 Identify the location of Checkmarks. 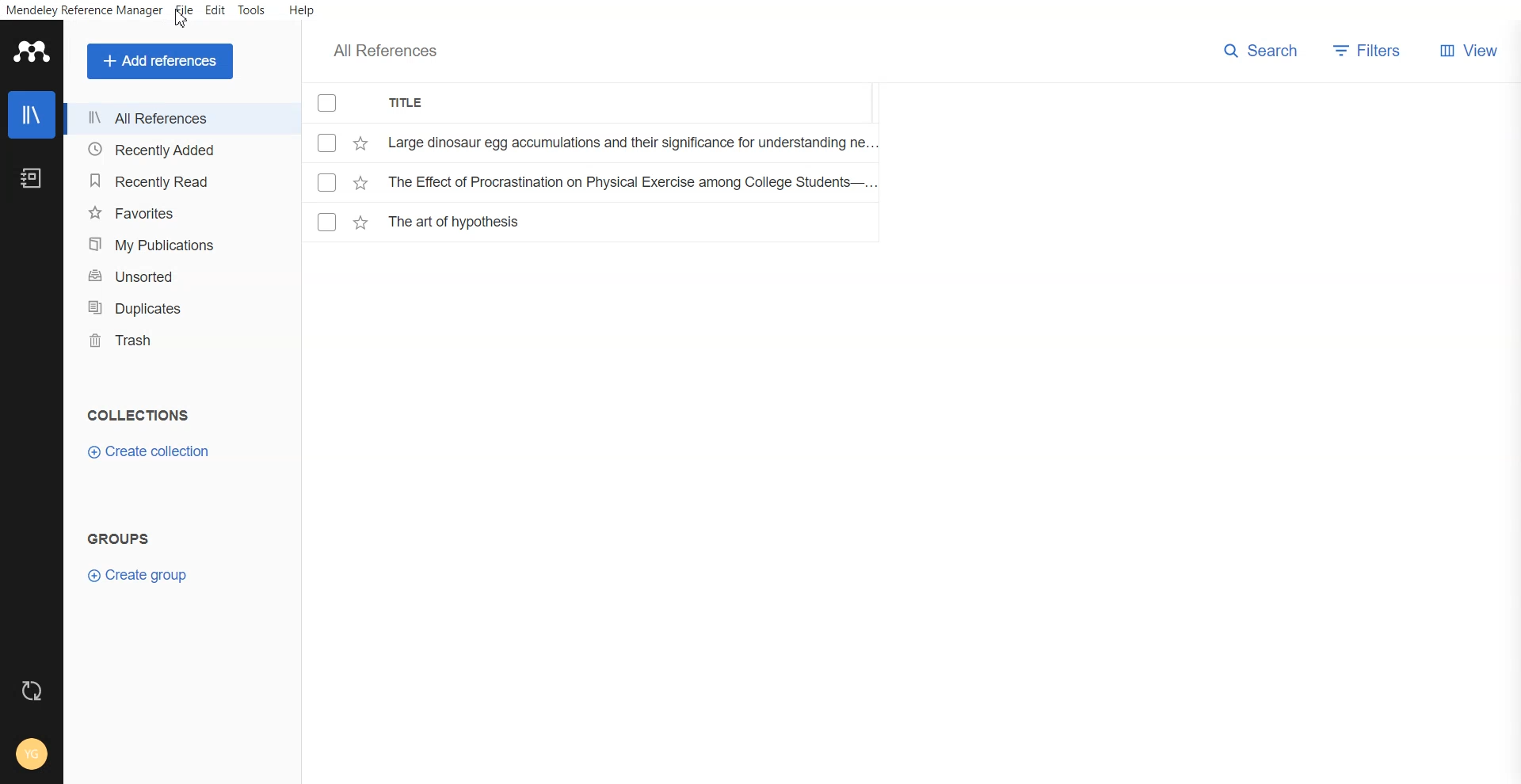
(326, 103).